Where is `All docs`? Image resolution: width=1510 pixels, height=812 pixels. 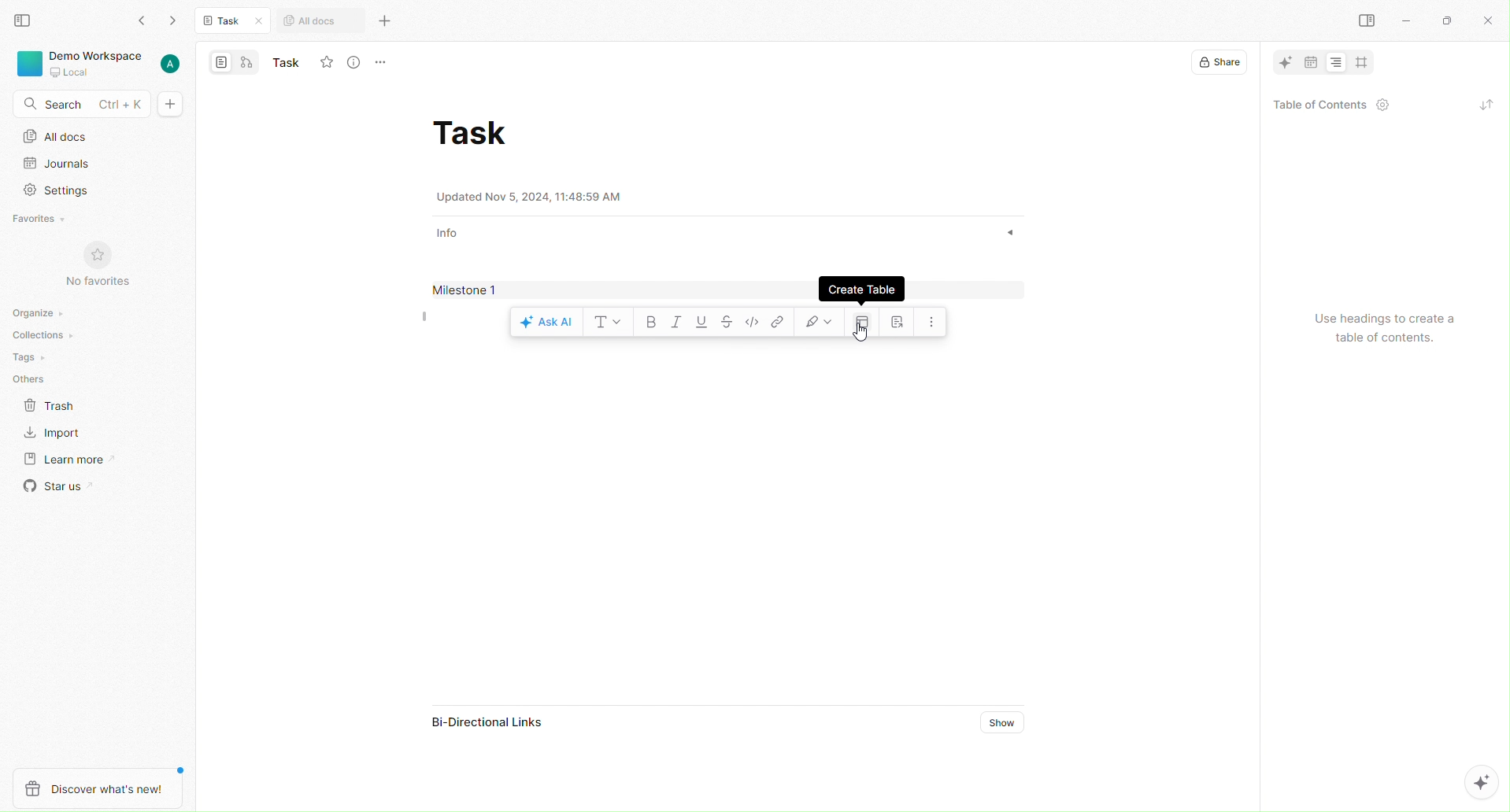 All docs is located at coordinates (313, 22).